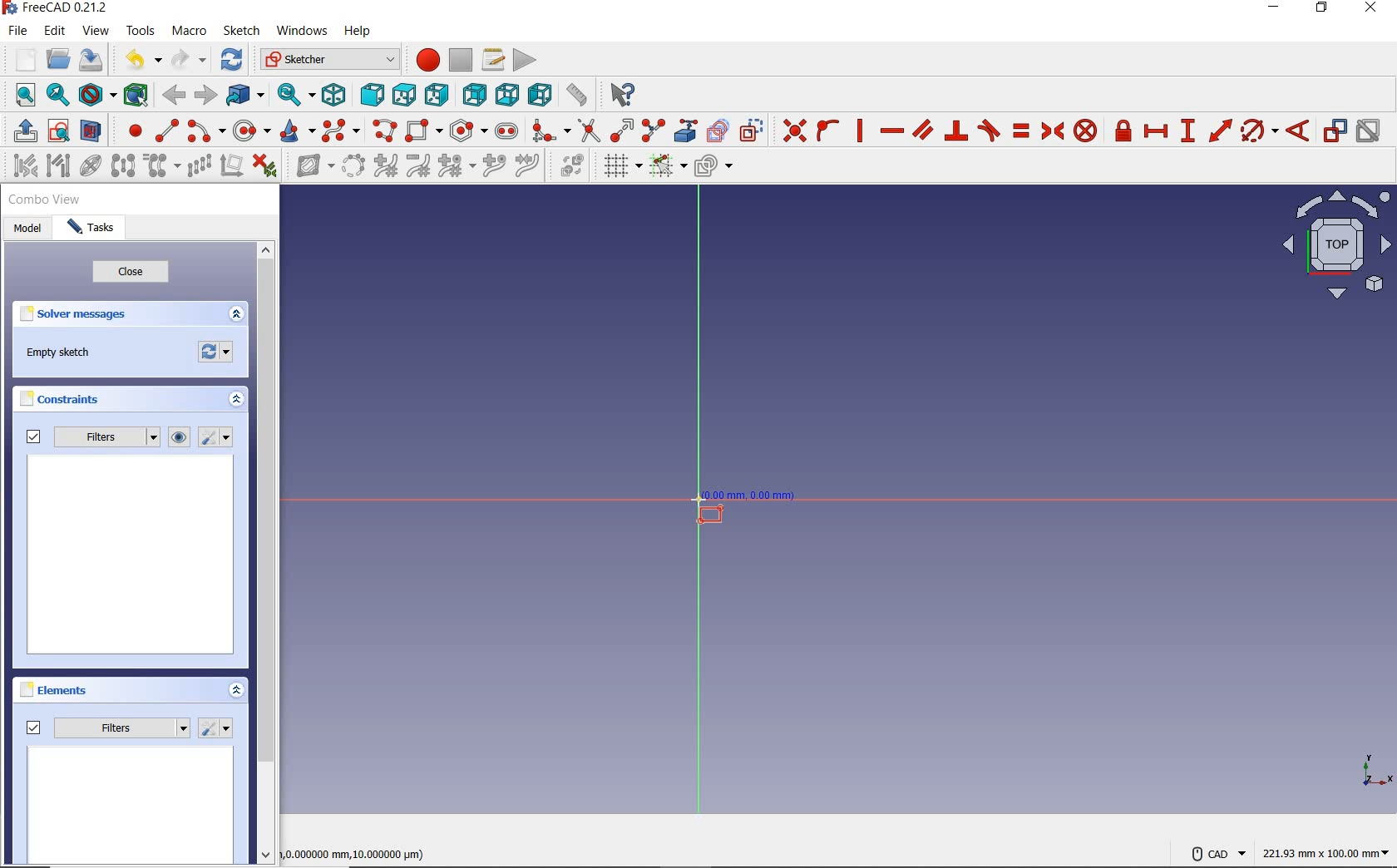 This screenshot has width=1397, height=868. Describe the element at coordinates (1335, 131) in the screenshot. I see `toggle driving` at that location.